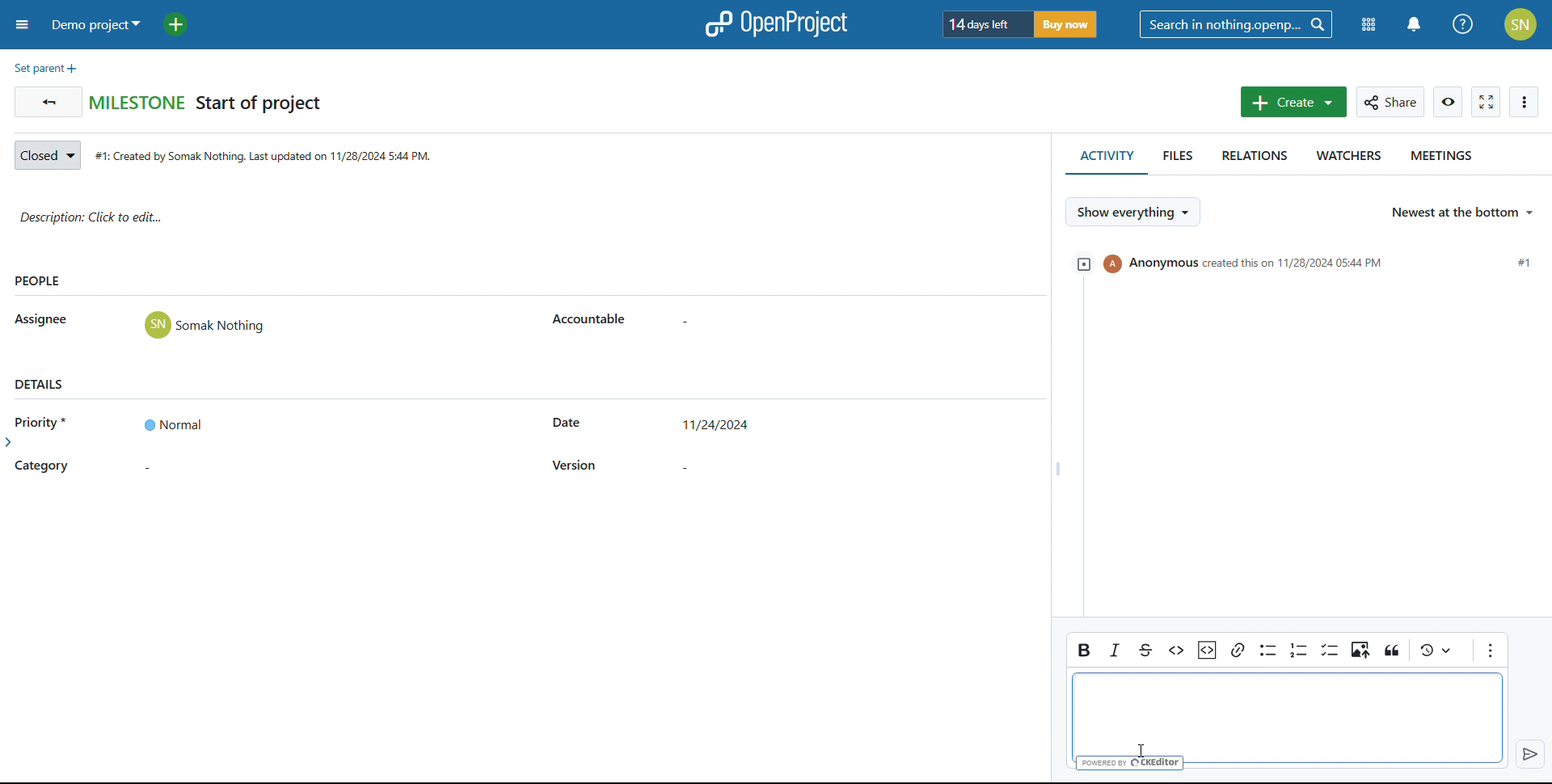 The image size is (1552, 784). I want to click on powered by creditor, so click(1130, 764).